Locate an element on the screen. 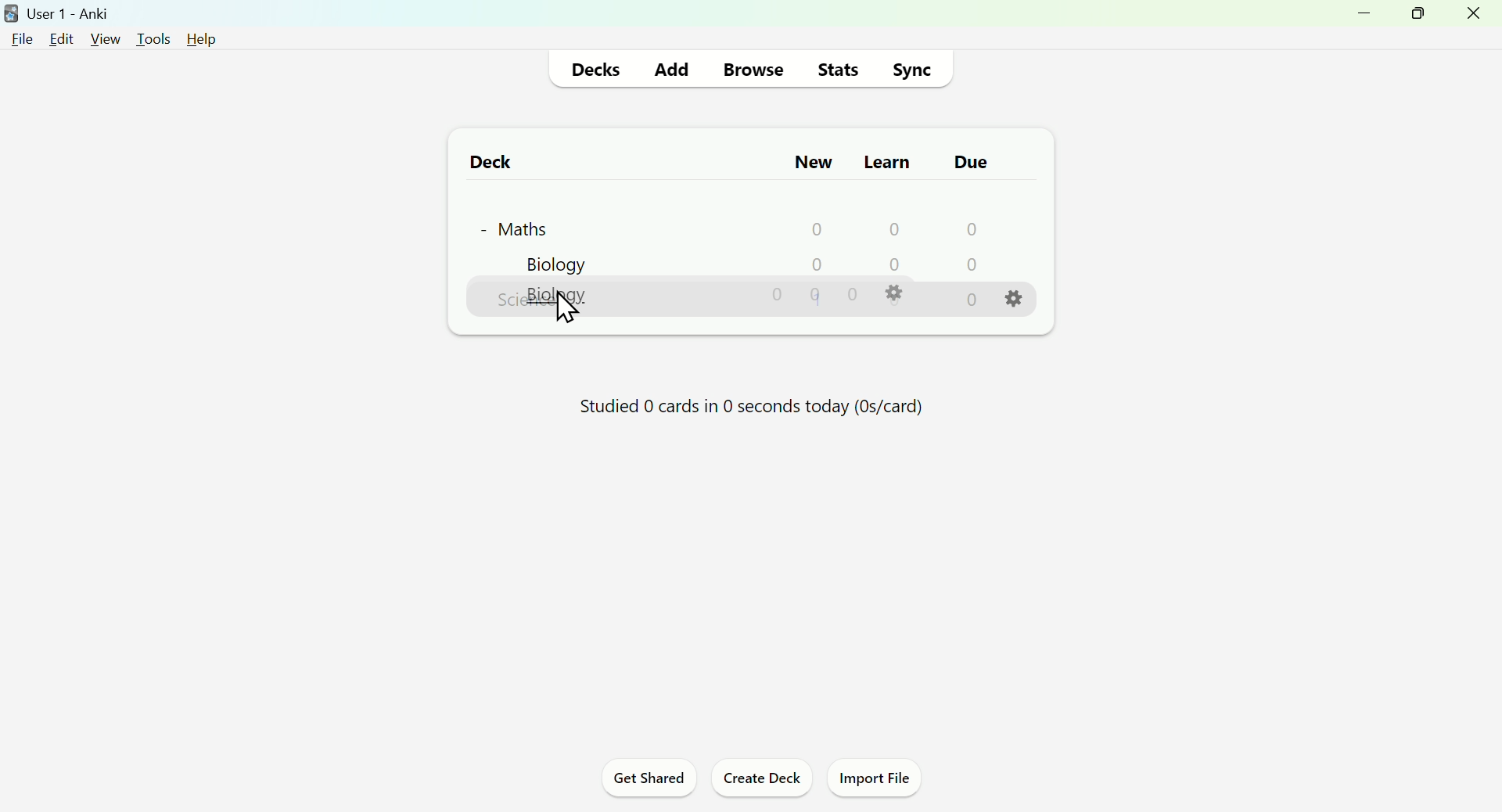 The height and width of the screenshot is (812, 1502). Stats is located at coordinates (835, 68).